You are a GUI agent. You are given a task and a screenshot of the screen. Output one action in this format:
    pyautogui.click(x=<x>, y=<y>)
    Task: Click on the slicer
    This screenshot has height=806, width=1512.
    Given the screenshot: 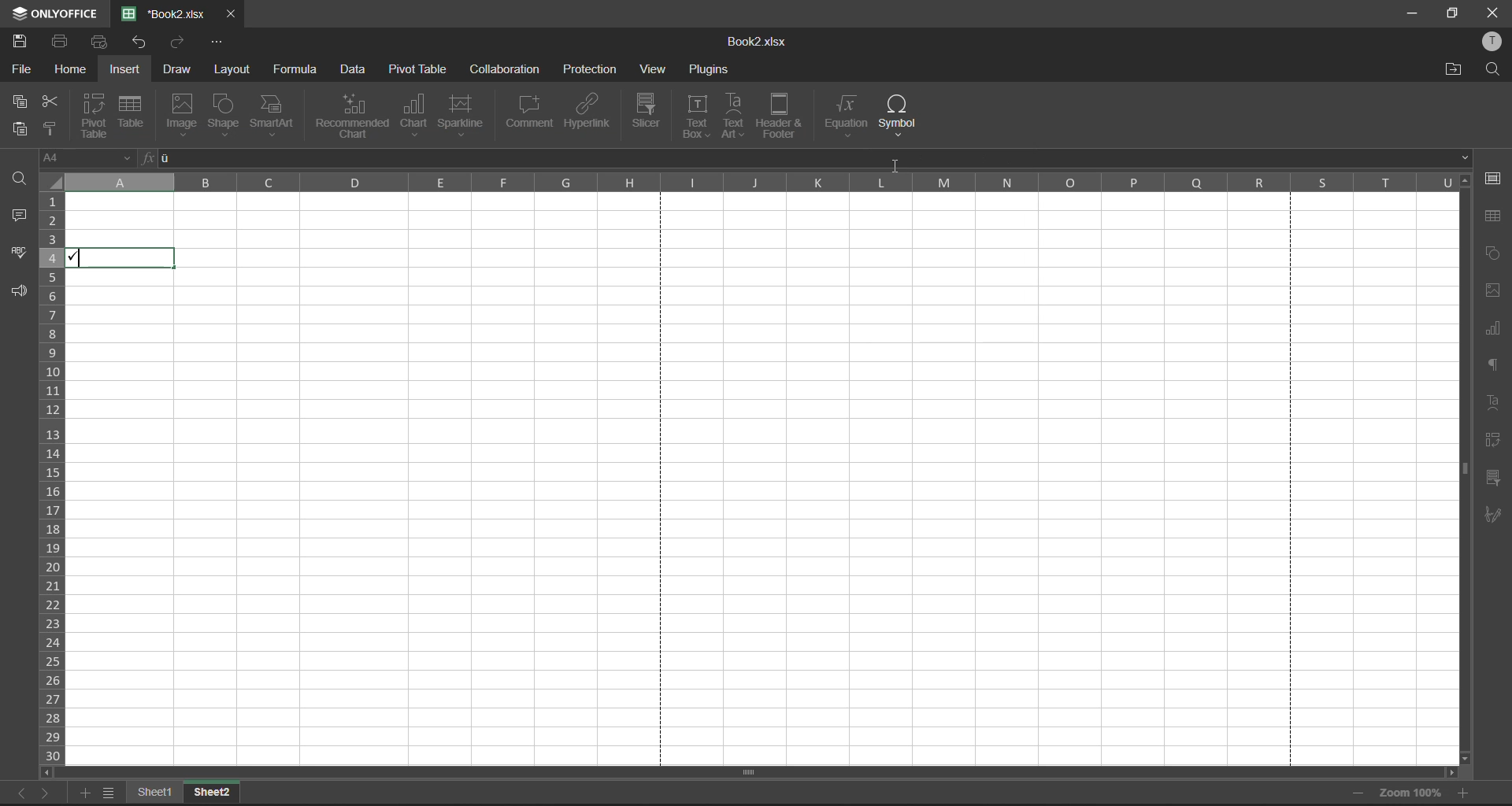 What is the action you would take?
    pyautogui.click(x=1491, y=477)
    